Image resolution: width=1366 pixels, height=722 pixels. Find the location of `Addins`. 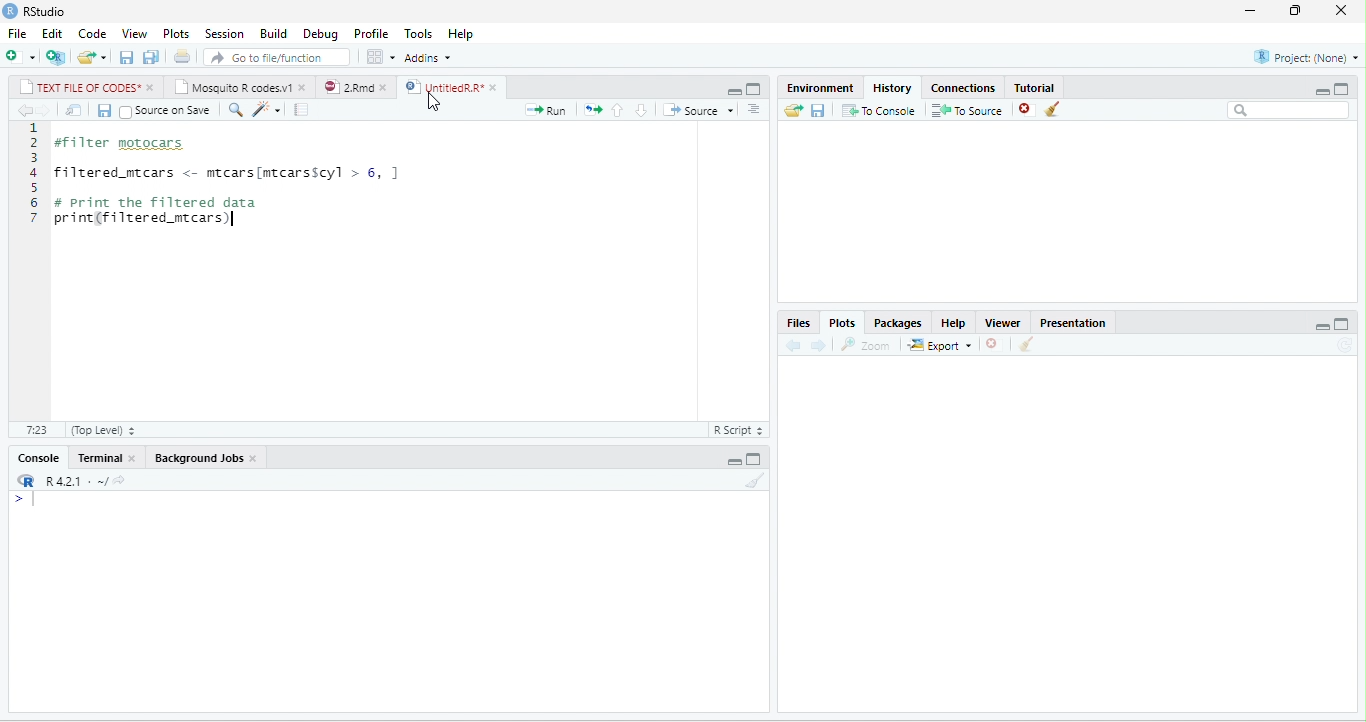

Addins is located at coordinates (427, 57).